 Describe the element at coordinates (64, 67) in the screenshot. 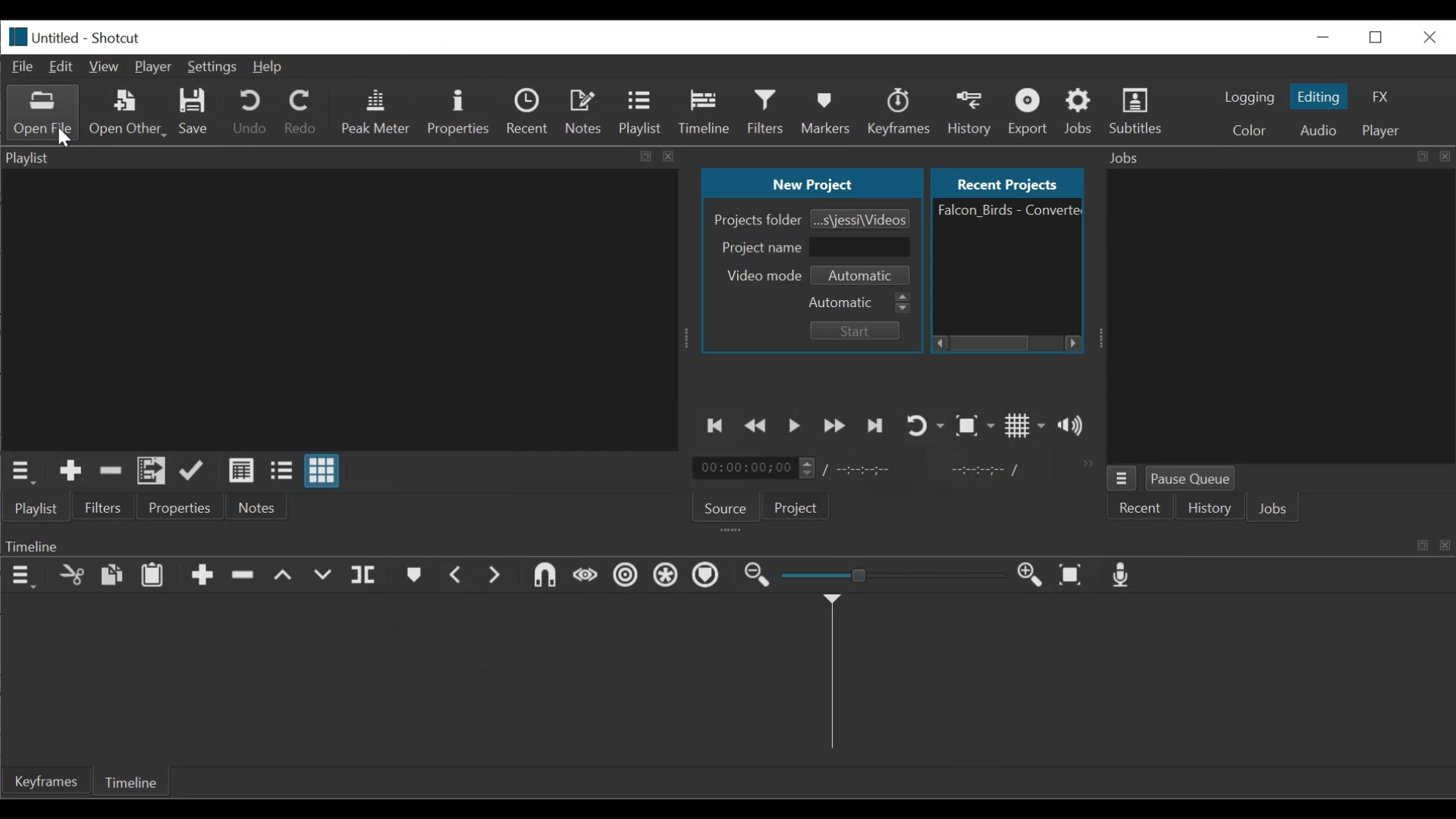

I see `Edit` at that location.